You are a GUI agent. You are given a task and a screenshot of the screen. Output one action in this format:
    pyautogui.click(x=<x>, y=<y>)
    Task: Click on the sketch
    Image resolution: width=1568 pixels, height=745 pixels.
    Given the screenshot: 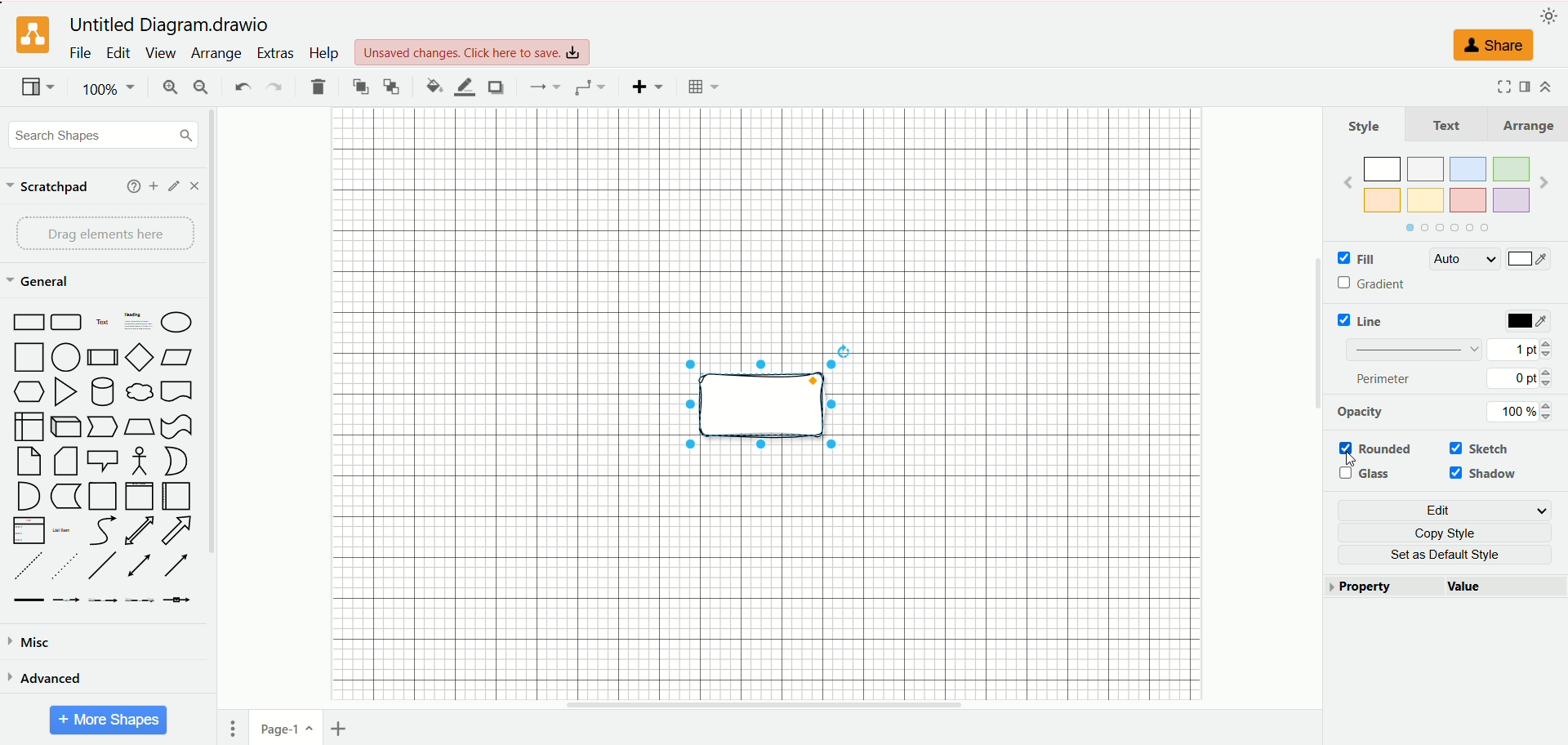 What is the action you would take?
    pyautogui.click(x=1487, y=449)
    